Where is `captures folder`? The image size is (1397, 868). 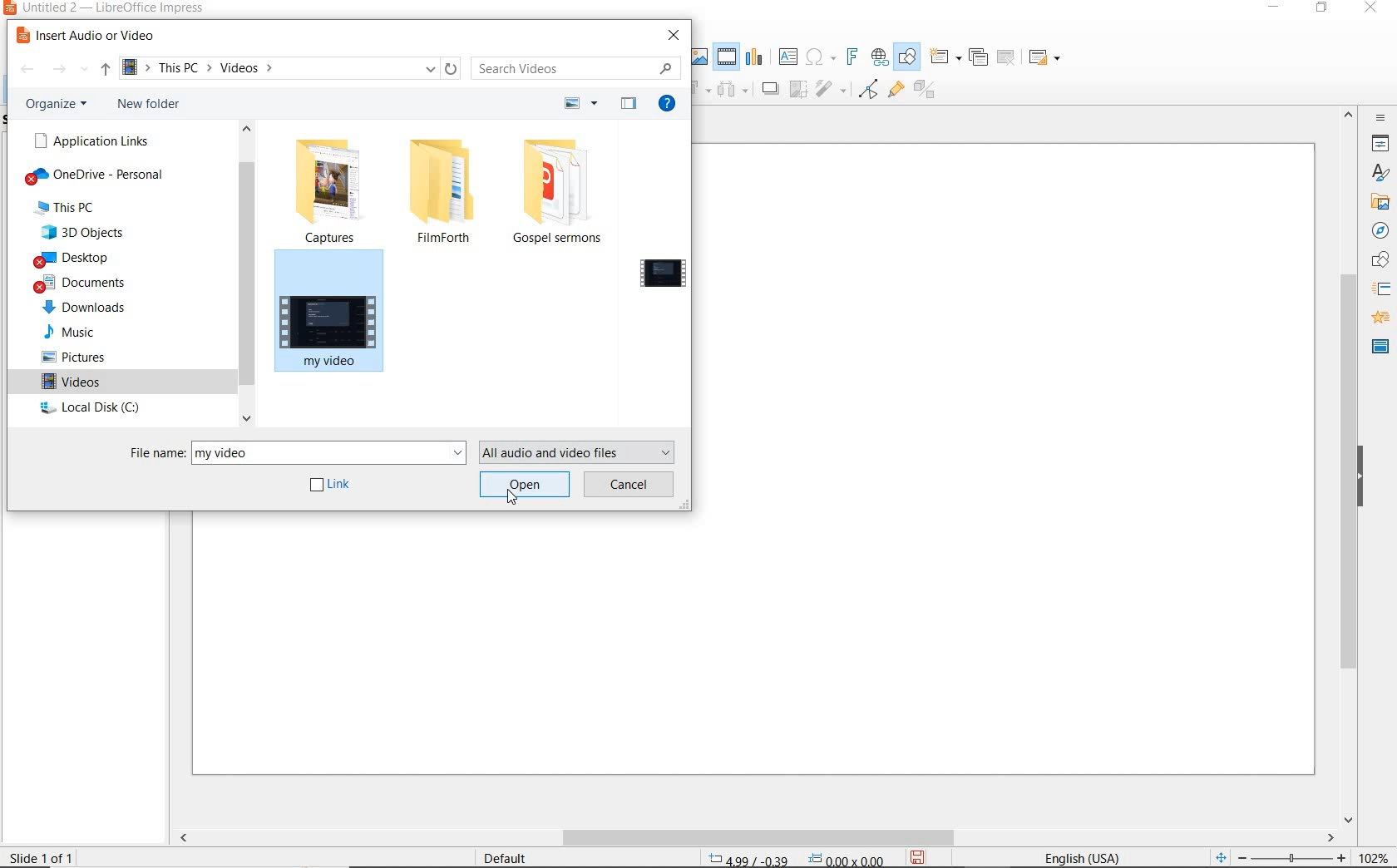 captures folder is located at coordinates (332, 189).